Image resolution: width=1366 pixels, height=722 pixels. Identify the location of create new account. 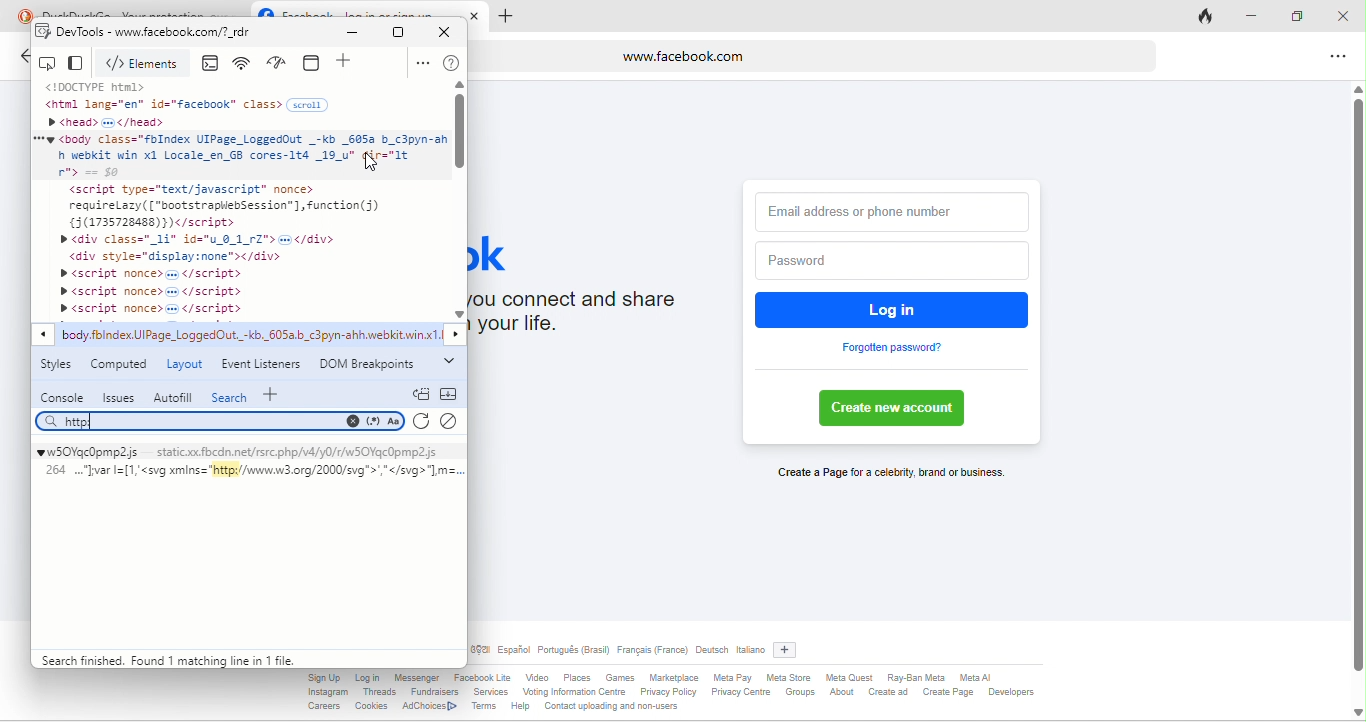
(898, 409).